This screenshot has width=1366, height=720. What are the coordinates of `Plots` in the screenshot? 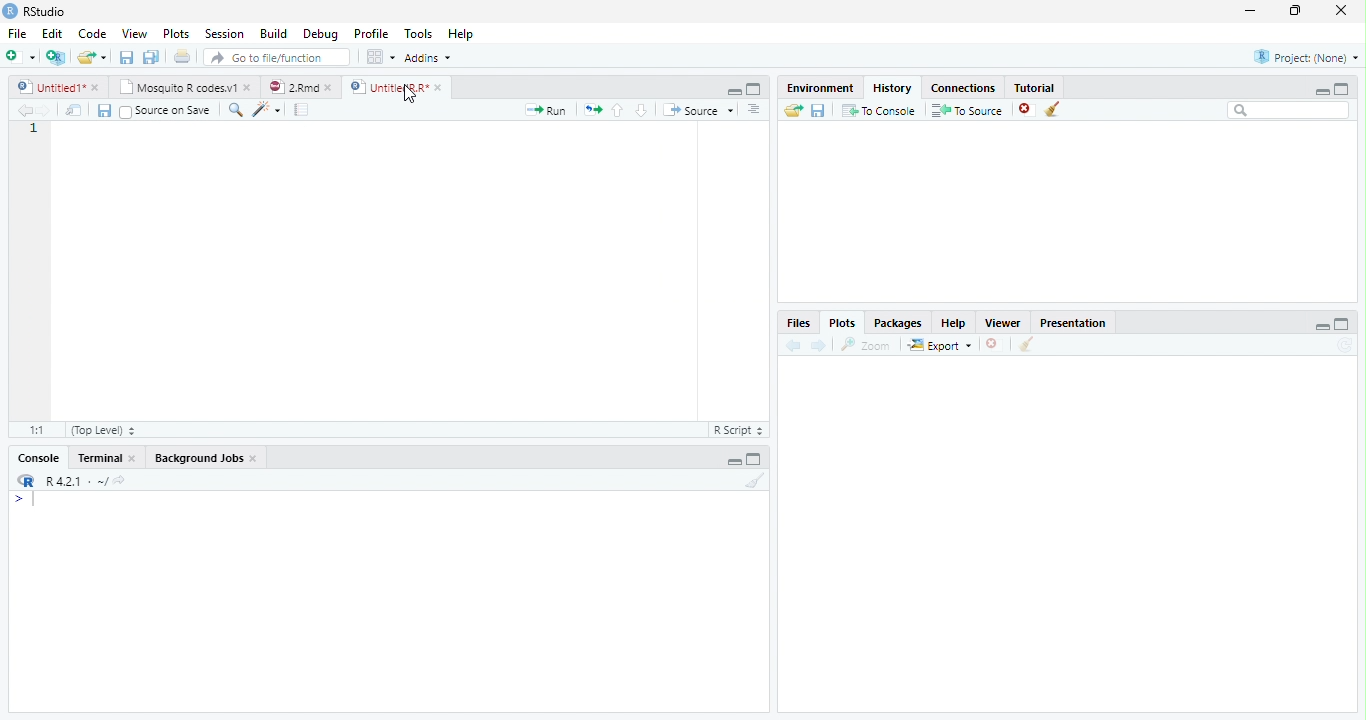 It's located at (174, 33).